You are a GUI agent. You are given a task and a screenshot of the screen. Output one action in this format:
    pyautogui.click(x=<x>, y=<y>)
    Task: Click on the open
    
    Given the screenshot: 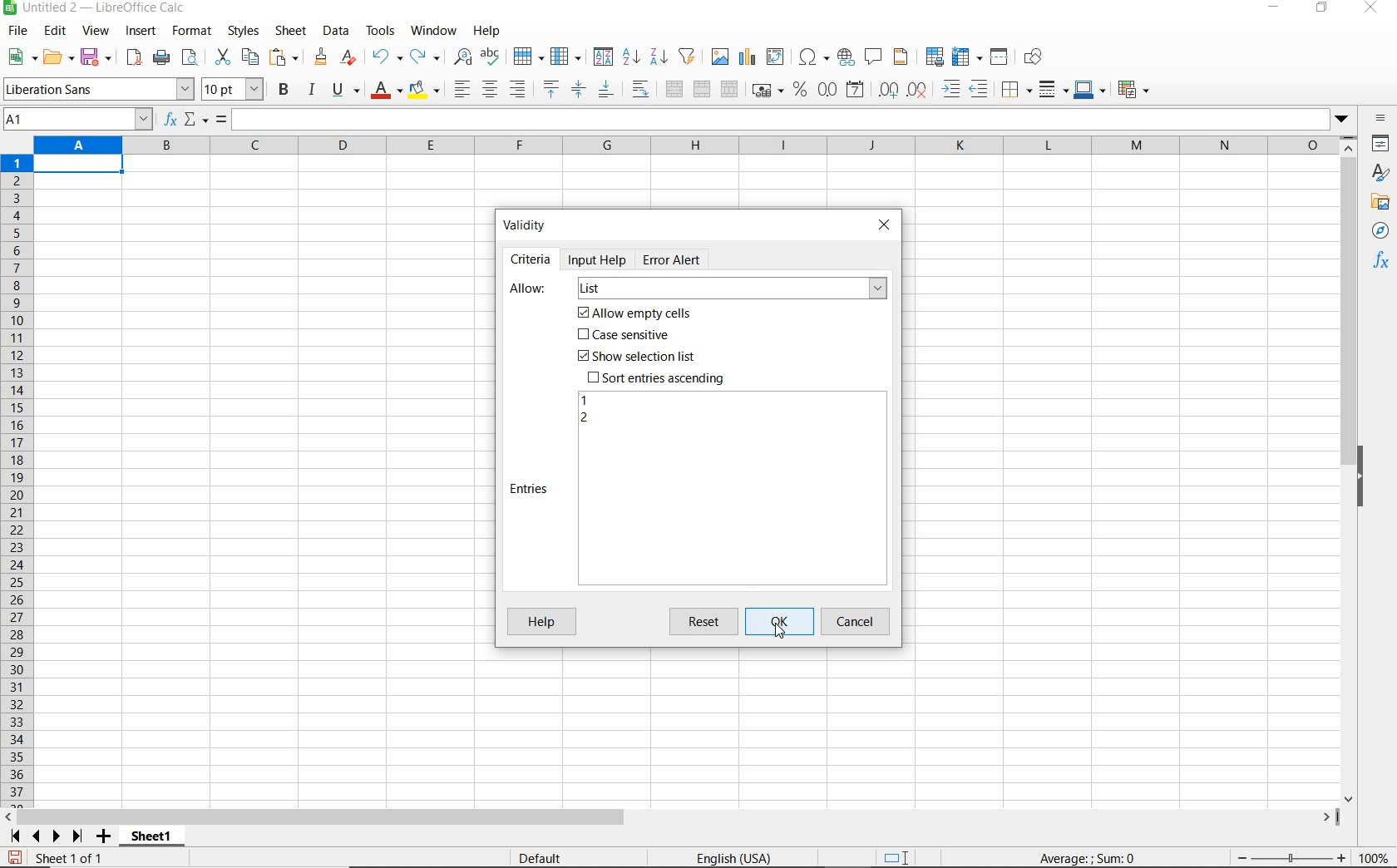 What is the action you would take?
    pyautogui.click(x=57, y=57)
    